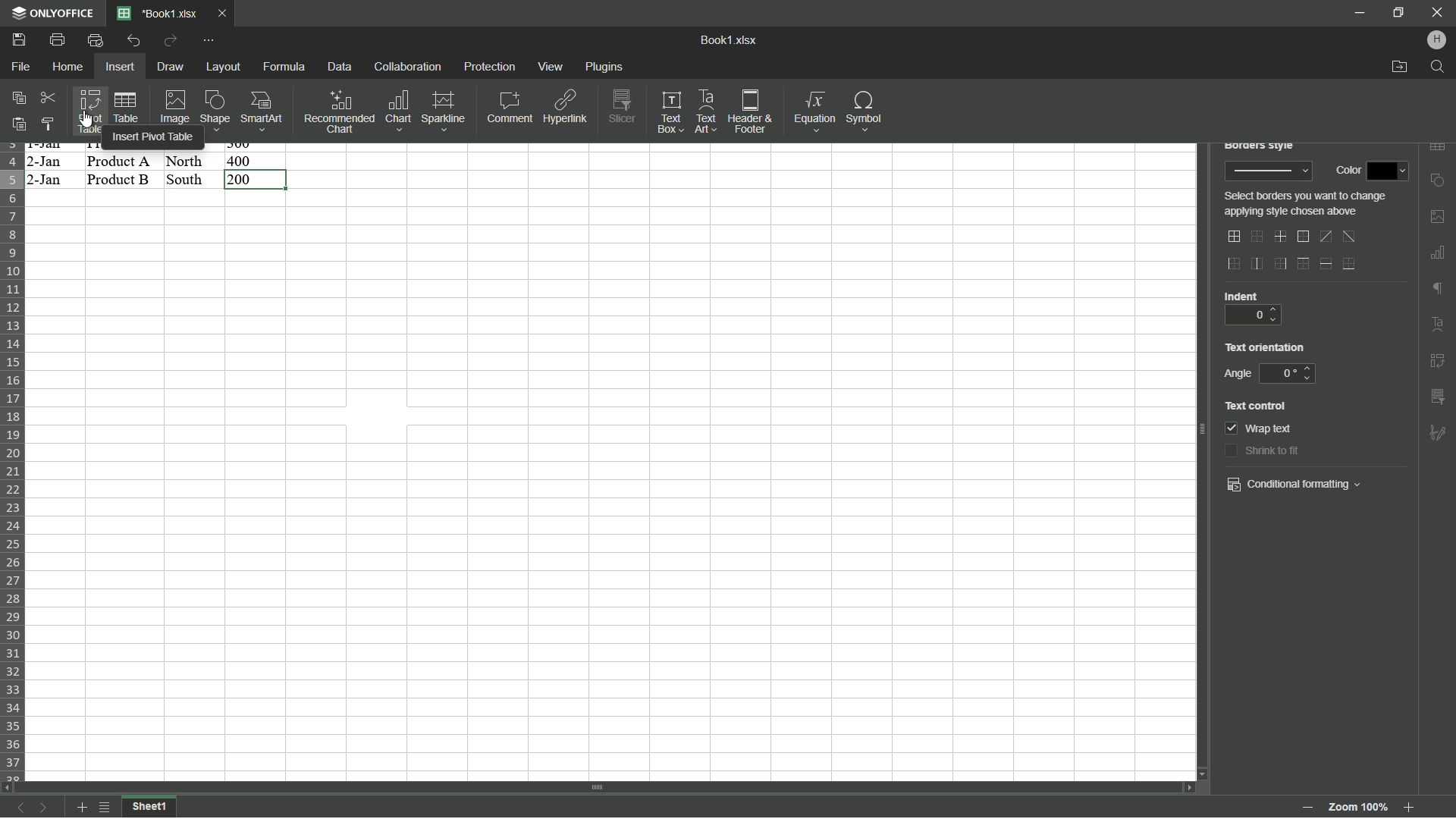  What do you see at coordinates (507, 107) in the screenshot?
I see `Comment` at bounding box center [507, 107].